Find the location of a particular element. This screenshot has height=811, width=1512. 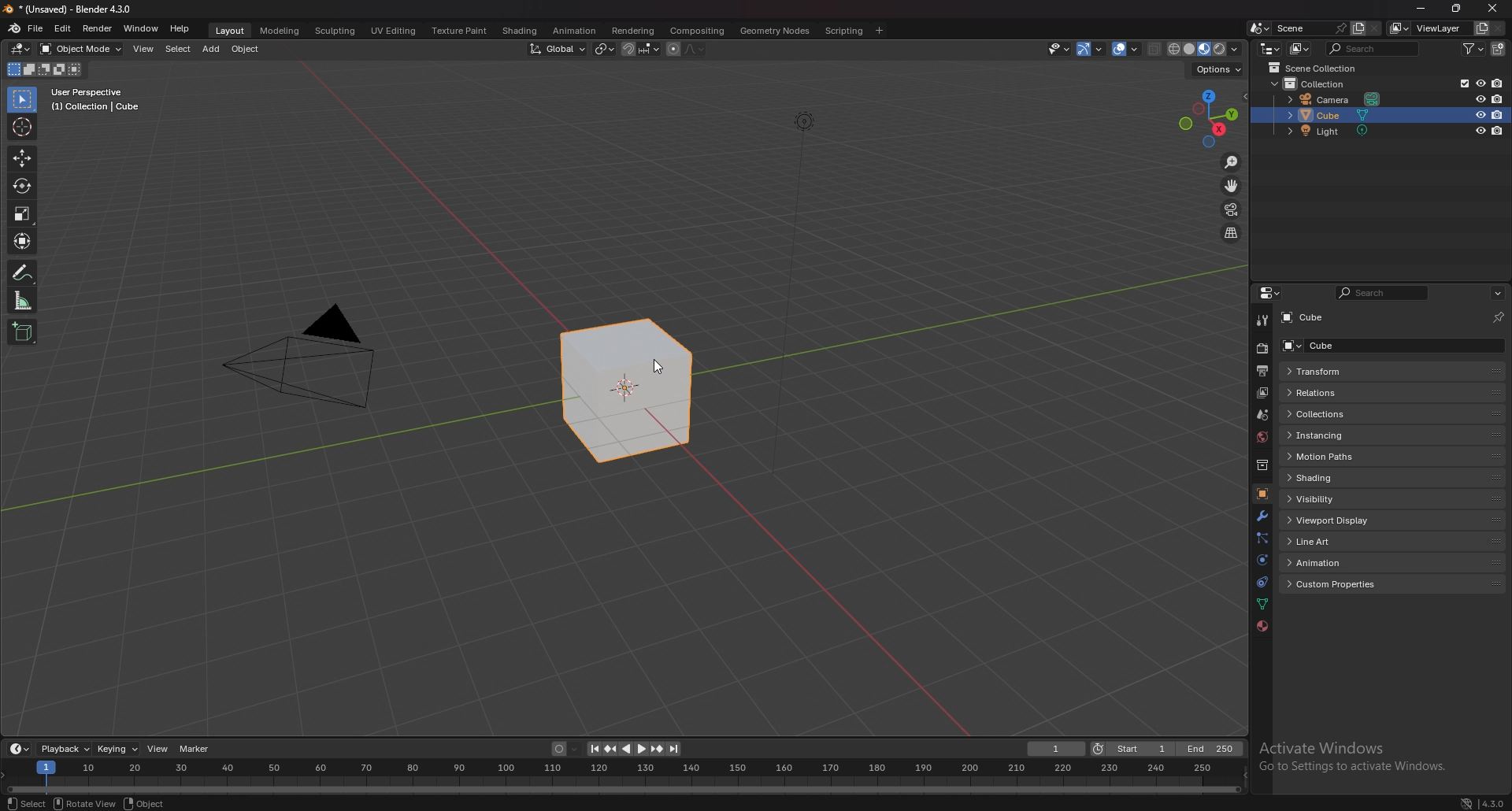

view is located at coordinates (157, 749).